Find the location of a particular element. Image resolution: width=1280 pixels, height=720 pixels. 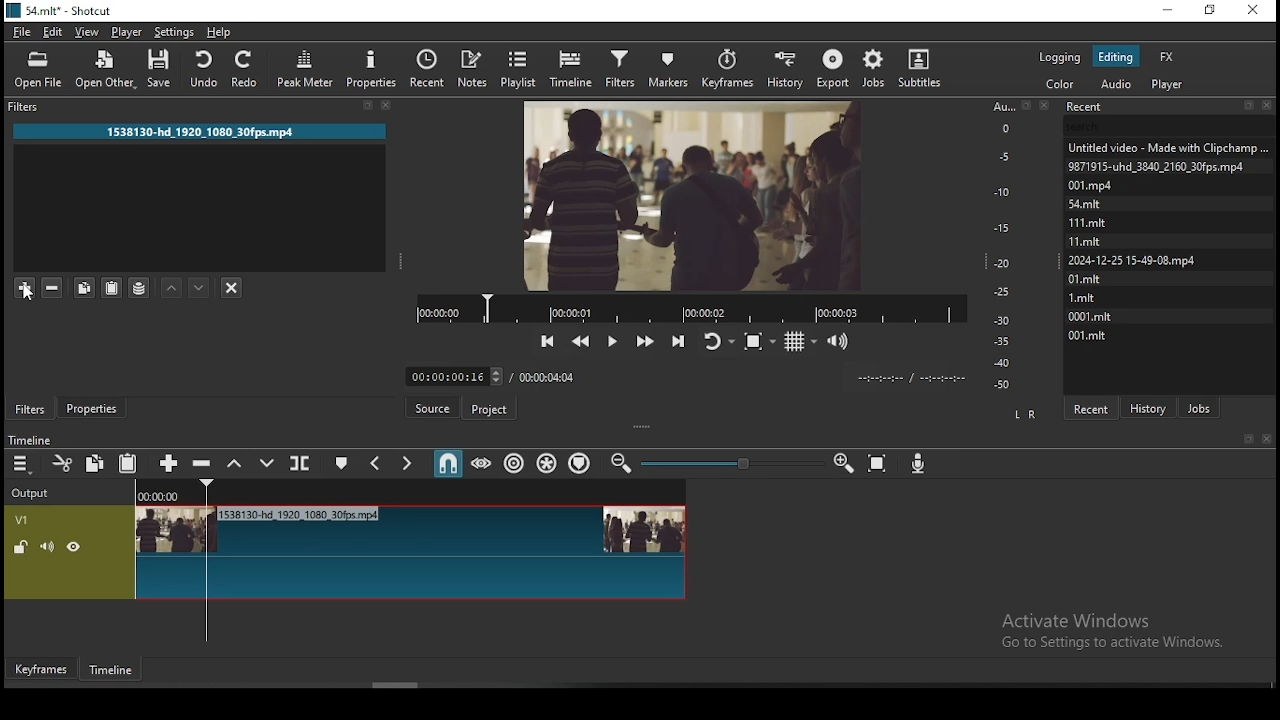

redo is located at coordinates (246, 68).